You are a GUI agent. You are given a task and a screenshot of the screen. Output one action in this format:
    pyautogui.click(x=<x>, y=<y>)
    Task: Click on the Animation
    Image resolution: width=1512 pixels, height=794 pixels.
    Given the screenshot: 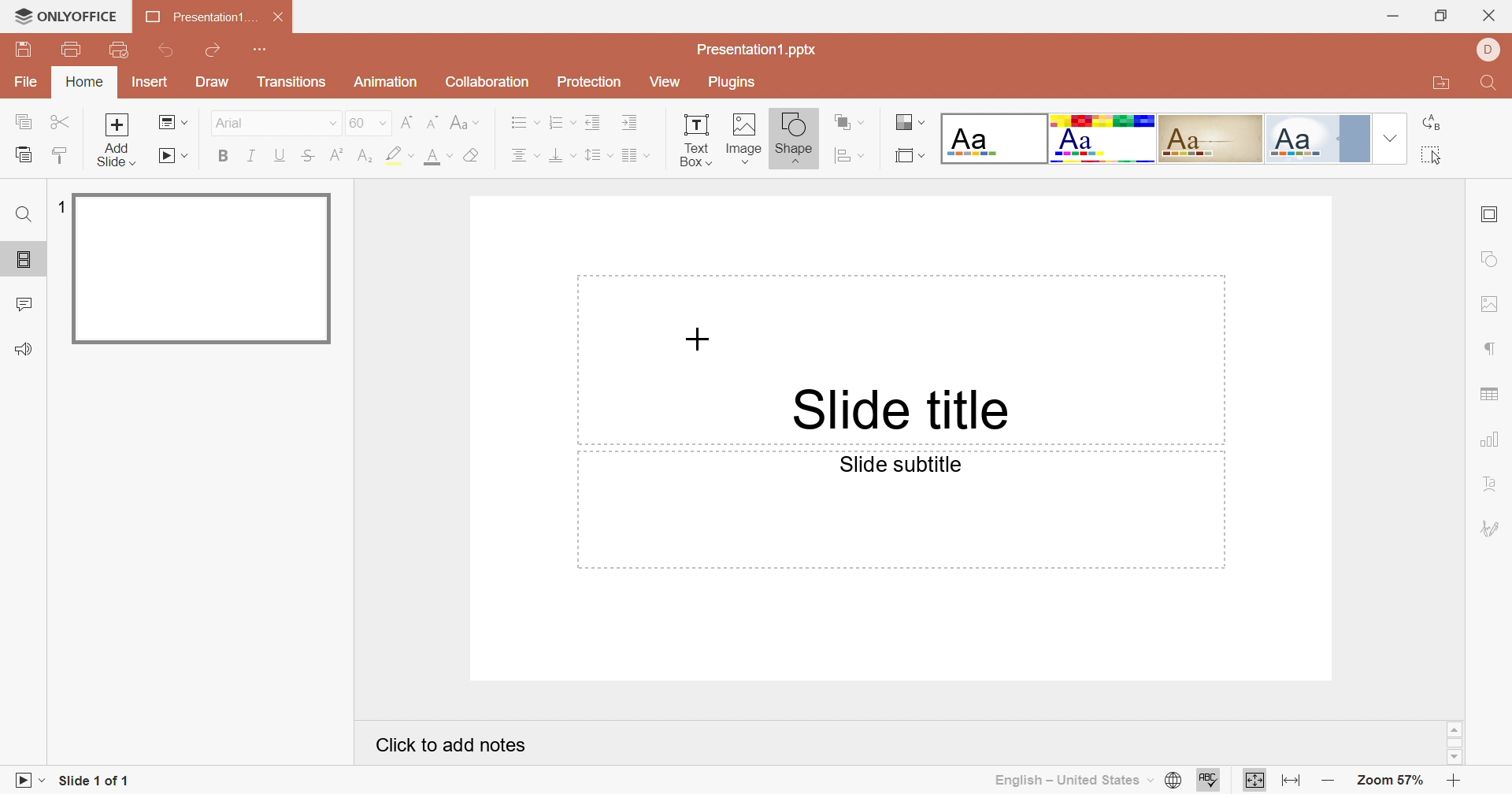 What is the action you would take?
    pyautogui.click(x=383, y=82)
    